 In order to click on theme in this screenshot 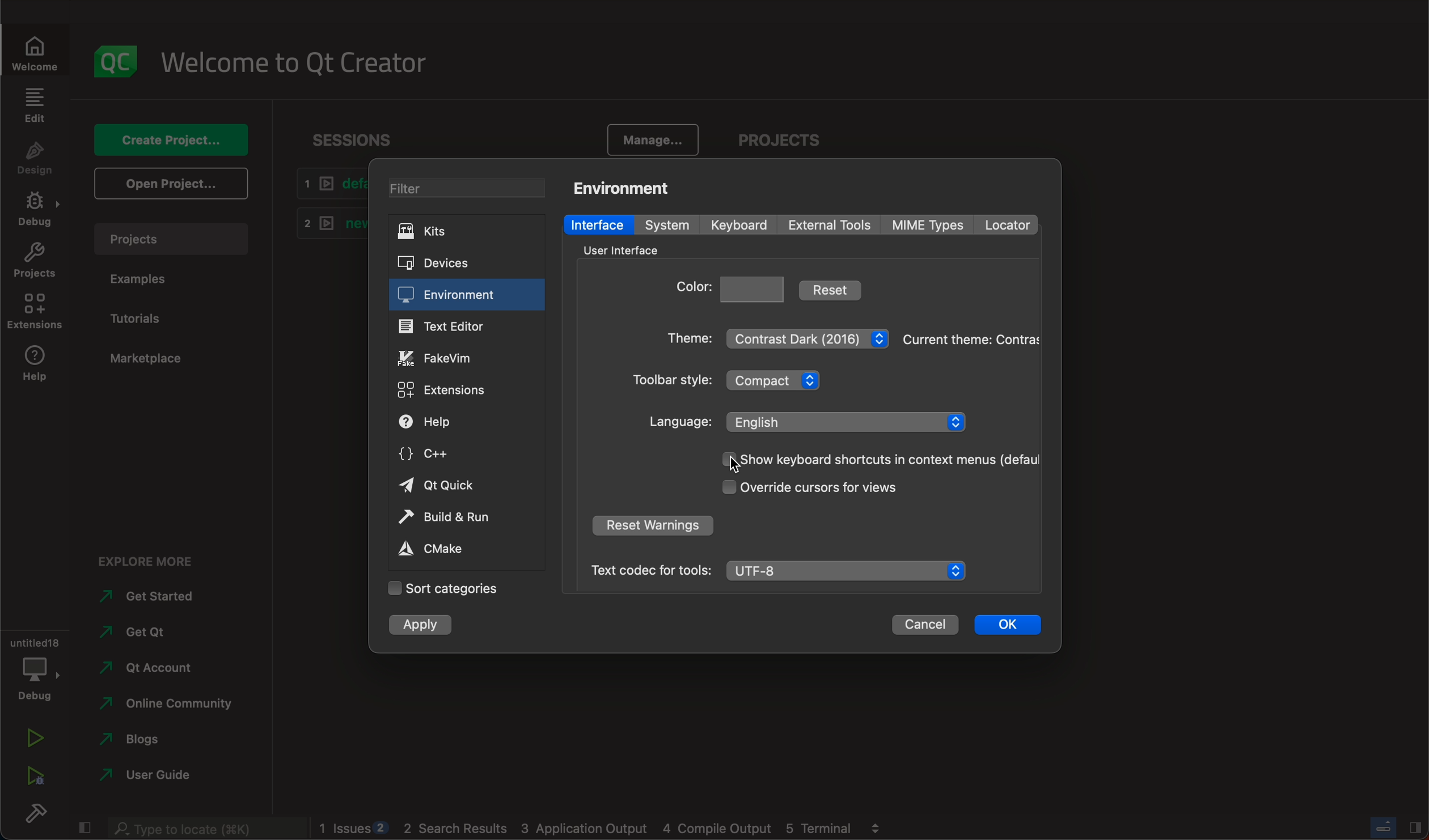, I will do `click(777, 336)`.